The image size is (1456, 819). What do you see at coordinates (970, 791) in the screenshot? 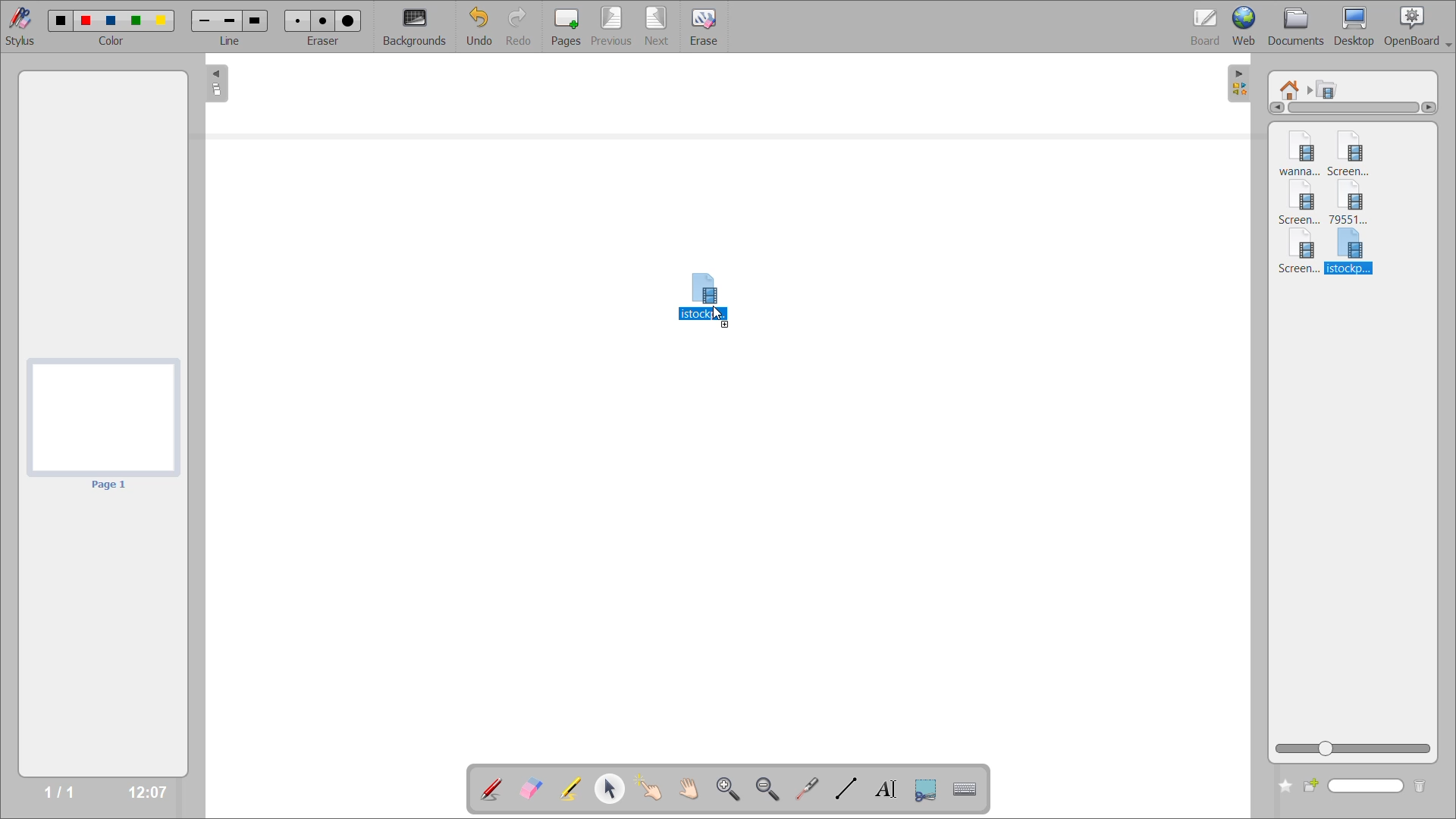
I see `virtual keyboard` at bounding box center [970, 791].